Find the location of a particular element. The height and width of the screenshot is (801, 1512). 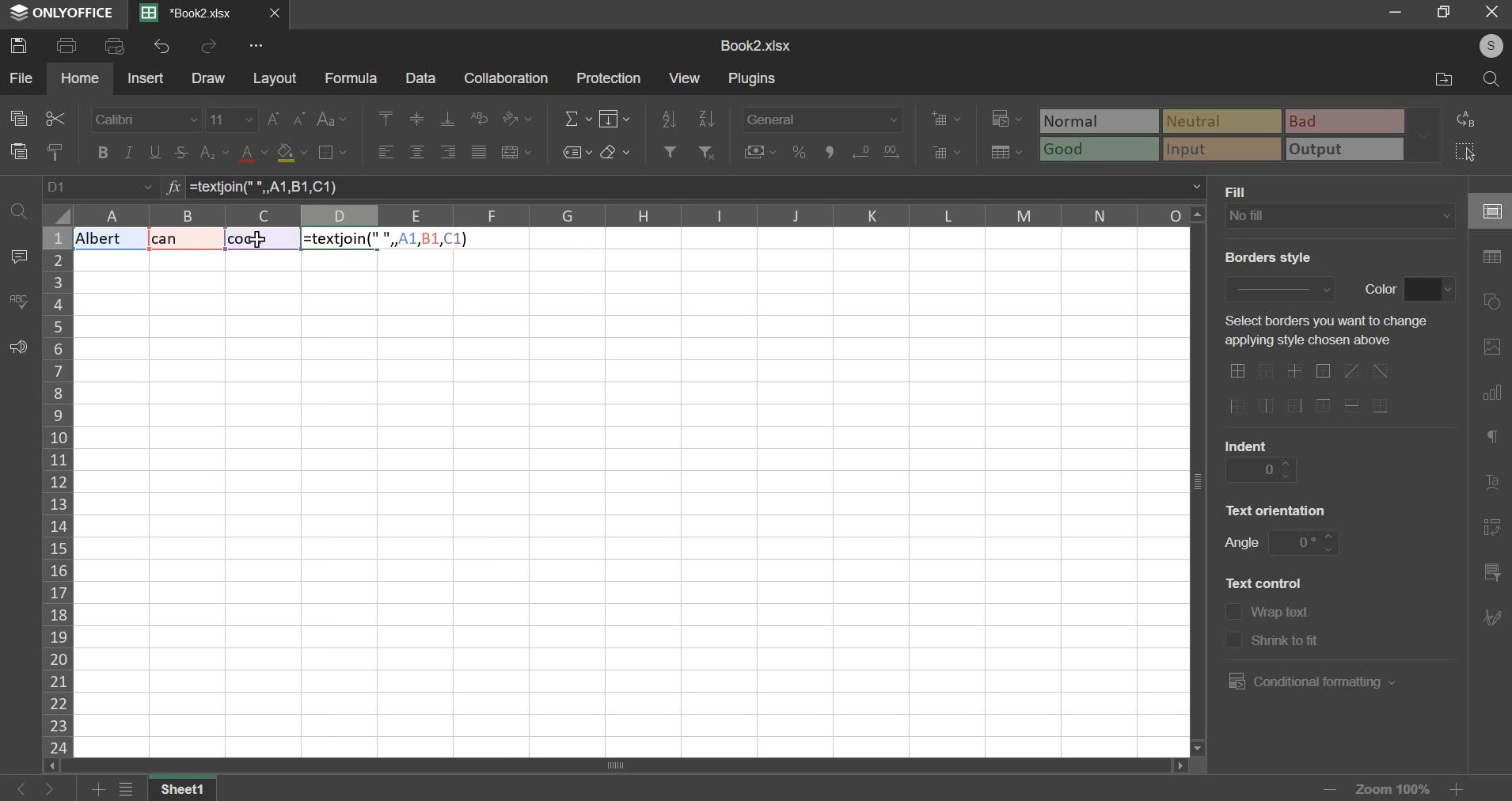

comment is located at coordinates (18, 256).